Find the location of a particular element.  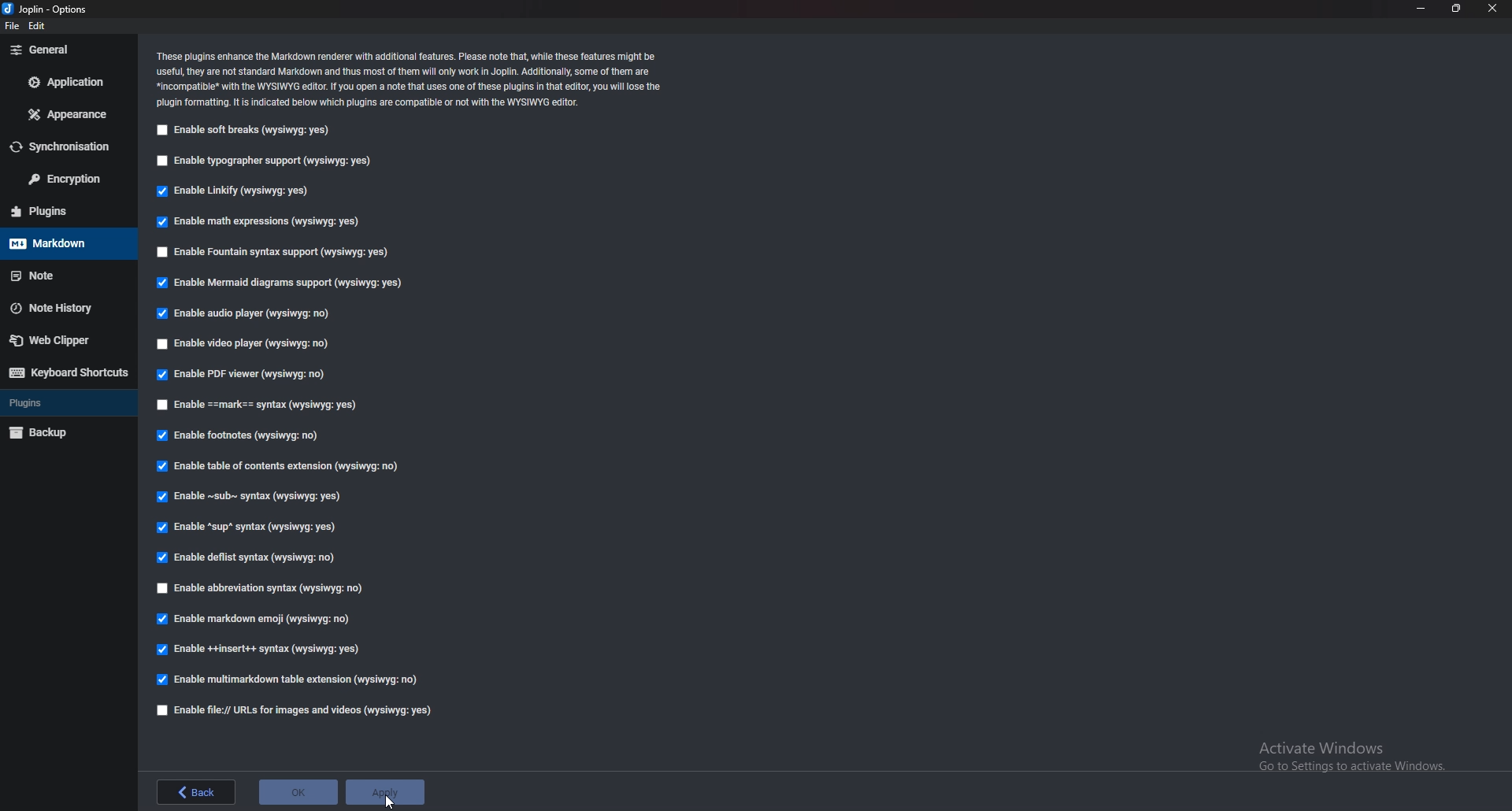

Enable sup syntax (wysiqyg:yes) is located at coordinates (249, 530).